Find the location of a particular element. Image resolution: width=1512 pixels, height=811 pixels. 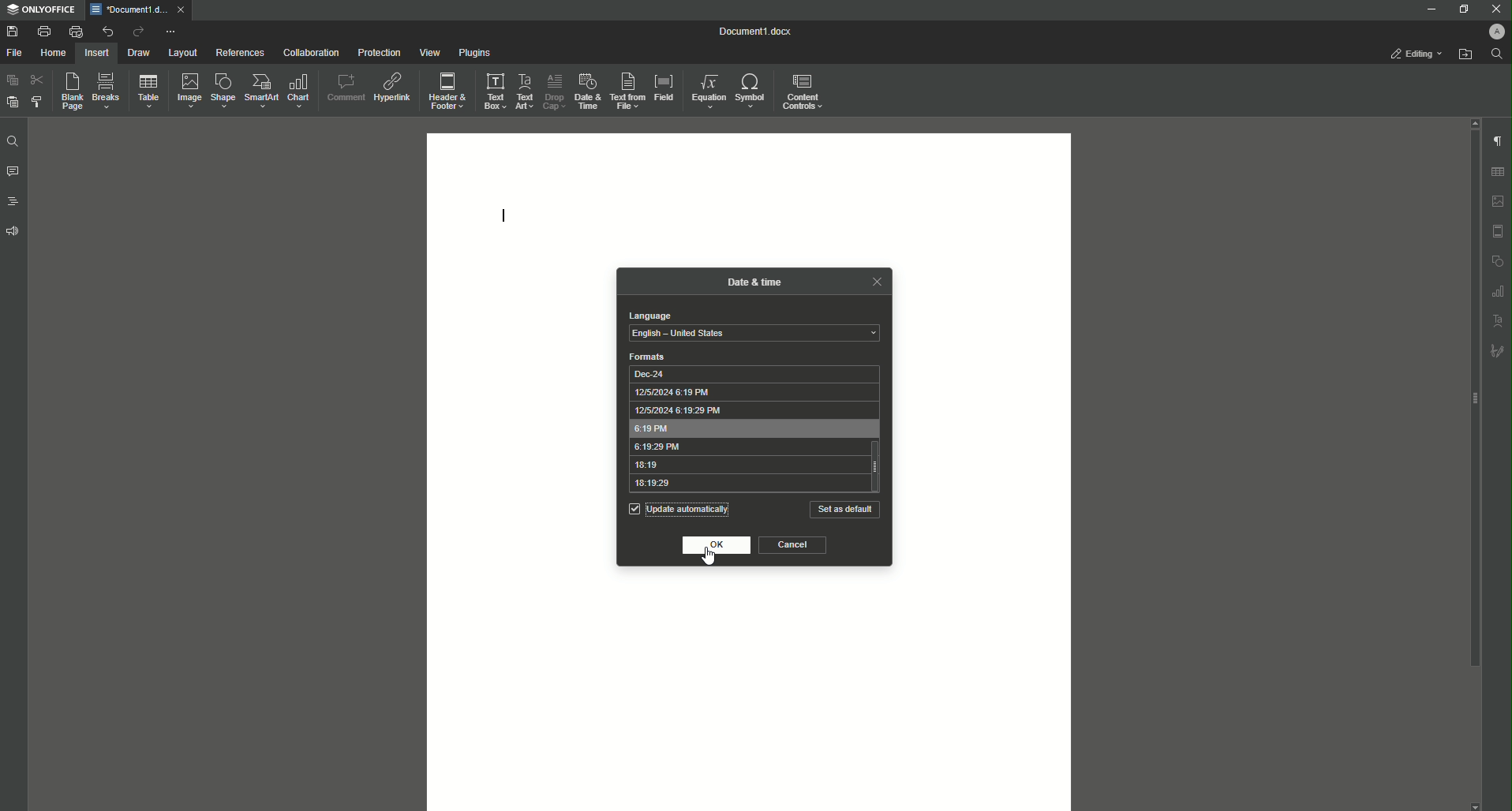

Redo is located at coordinates (136, 32).